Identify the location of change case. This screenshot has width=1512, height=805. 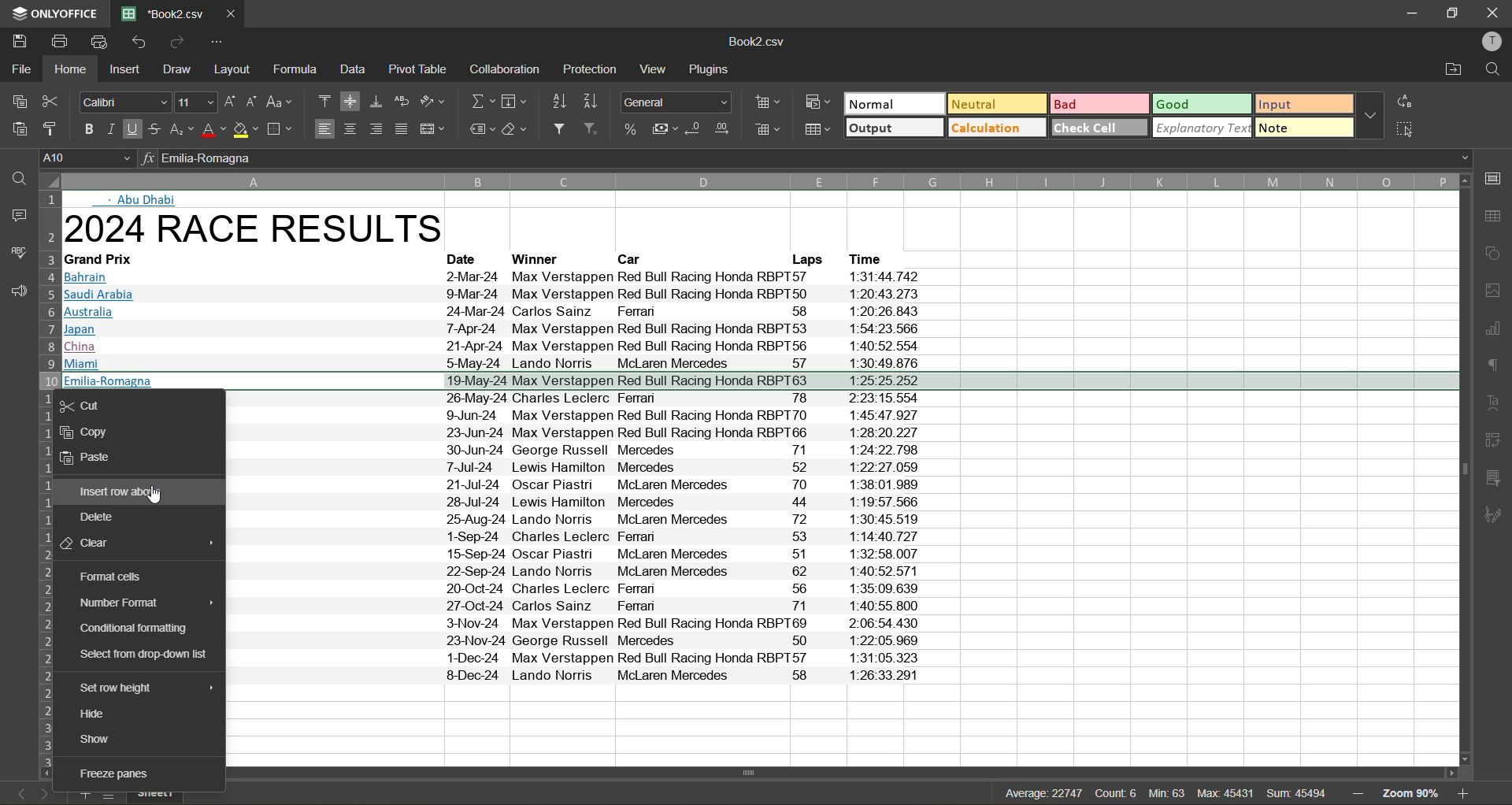
(282, 102).